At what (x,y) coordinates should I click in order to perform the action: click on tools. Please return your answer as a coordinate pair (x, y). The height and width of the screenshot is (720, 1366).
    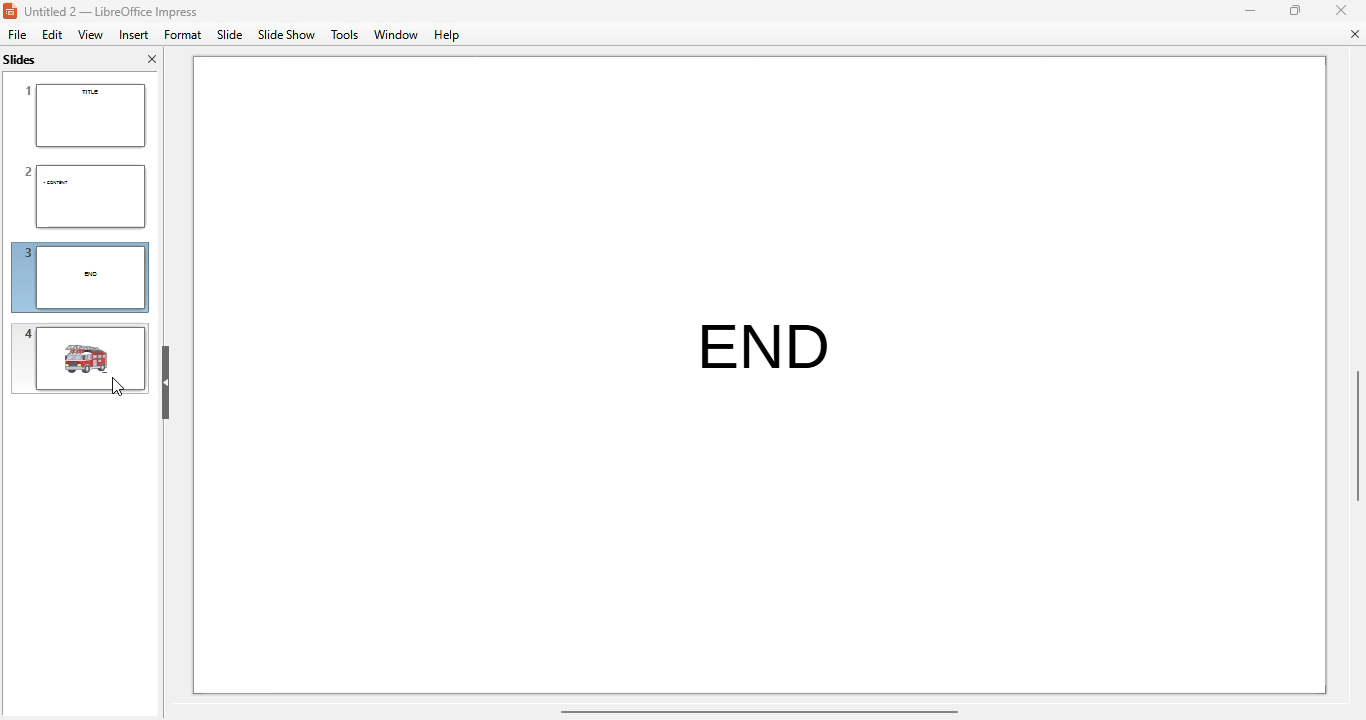
    Looking at the image, I should click on (344, 35).